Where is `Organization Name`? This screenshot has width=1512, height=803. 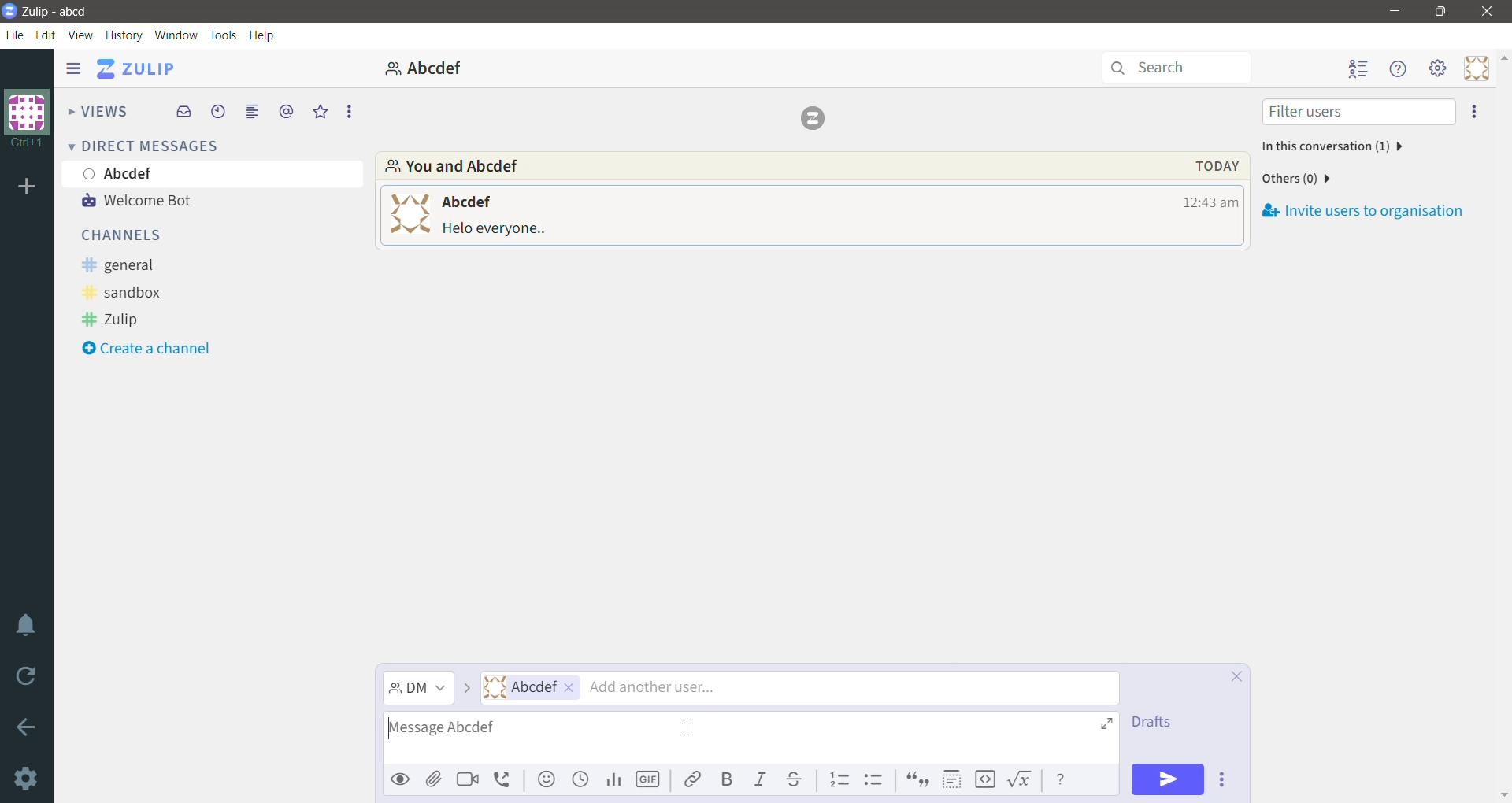
Organization Name is located at coordinates (28, 120).